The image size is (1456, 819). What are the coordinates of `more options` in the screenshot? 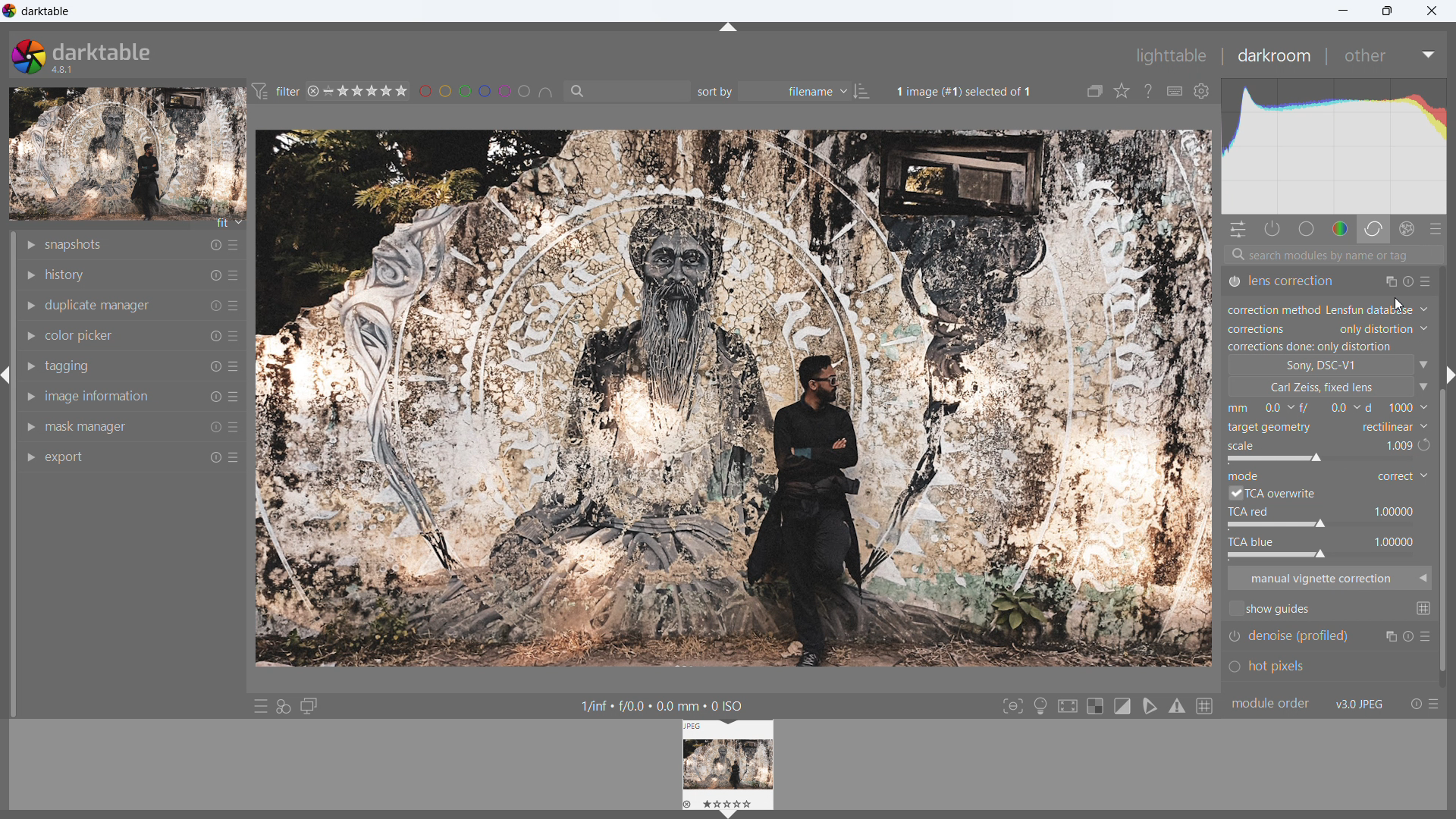 It's located at (236, 273).